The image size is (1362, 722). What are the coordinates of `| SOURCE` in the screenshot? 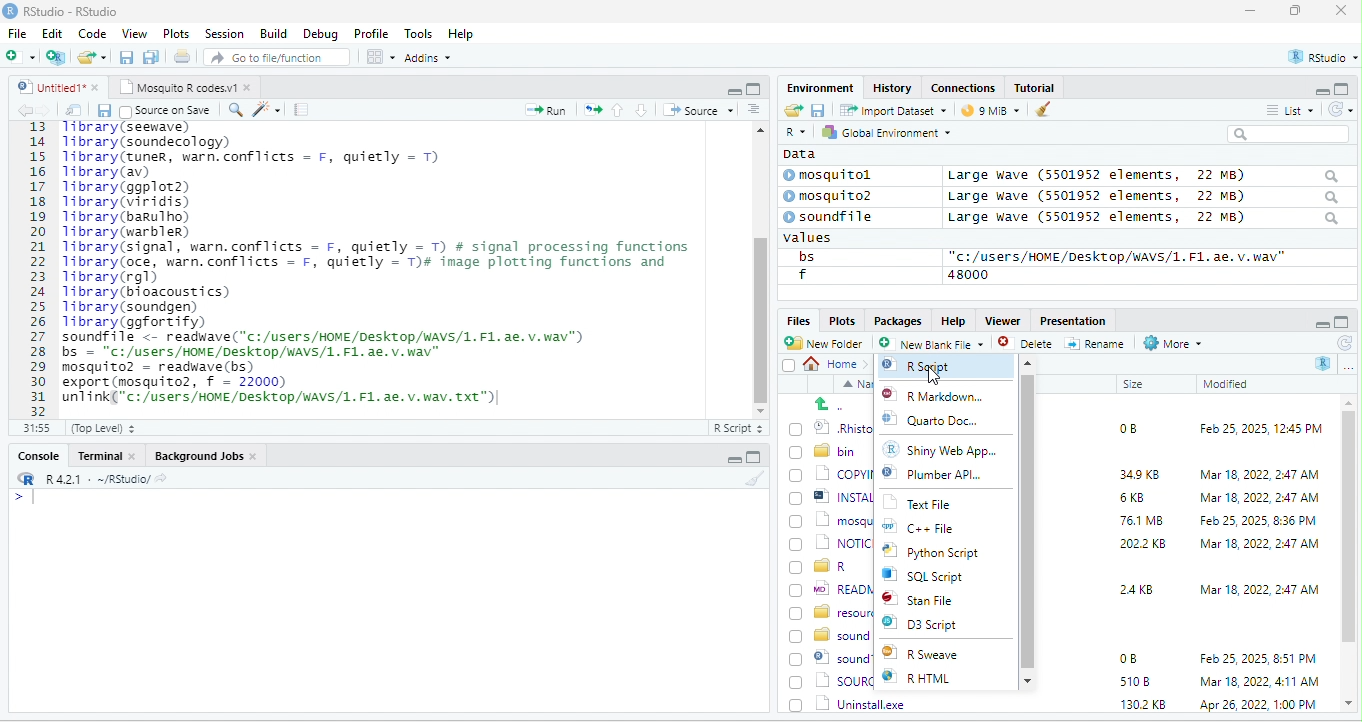 It's located at (833, 681).